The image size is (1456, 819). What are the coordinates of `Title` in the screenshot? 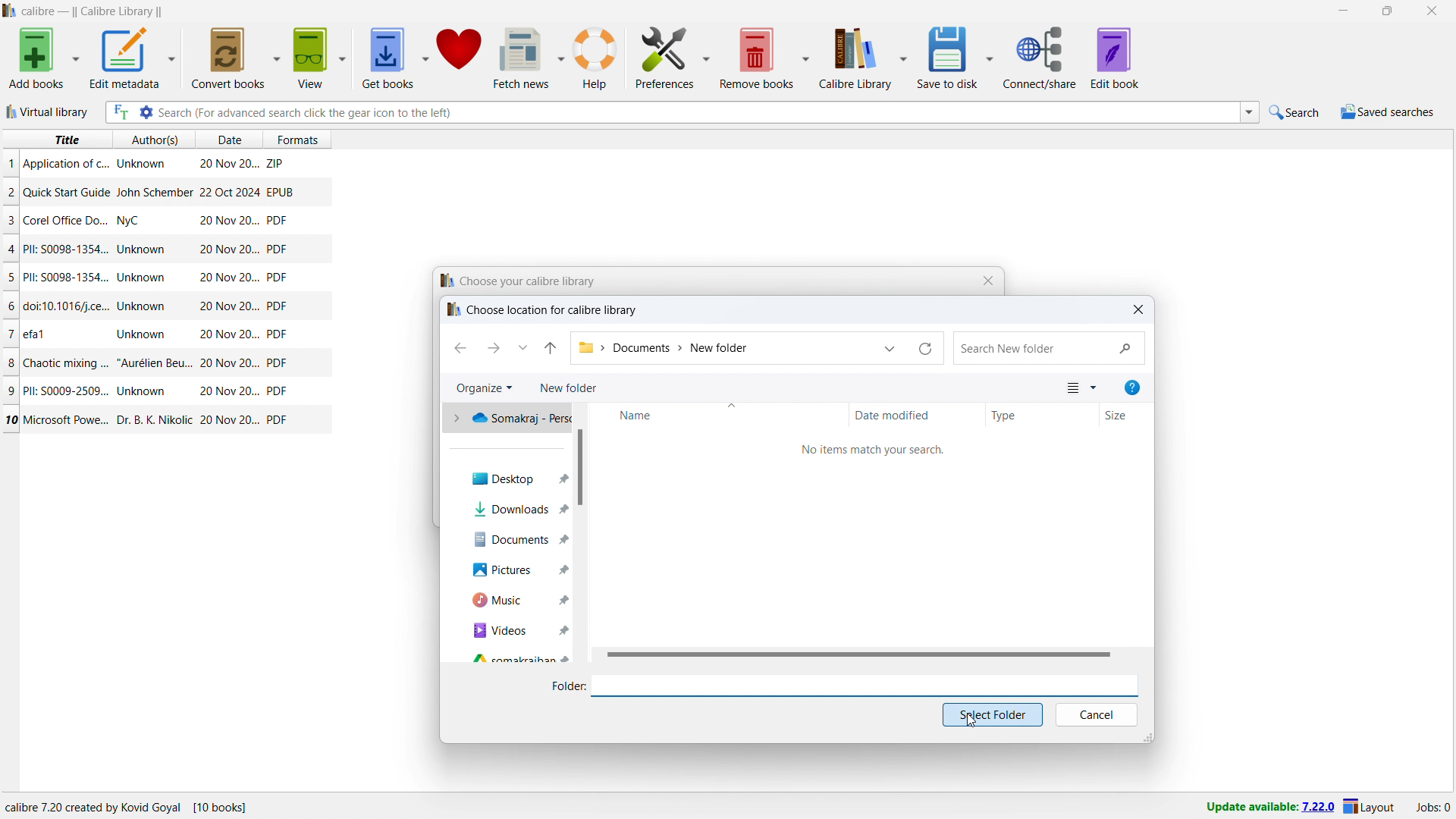 It's located at (68, 307).